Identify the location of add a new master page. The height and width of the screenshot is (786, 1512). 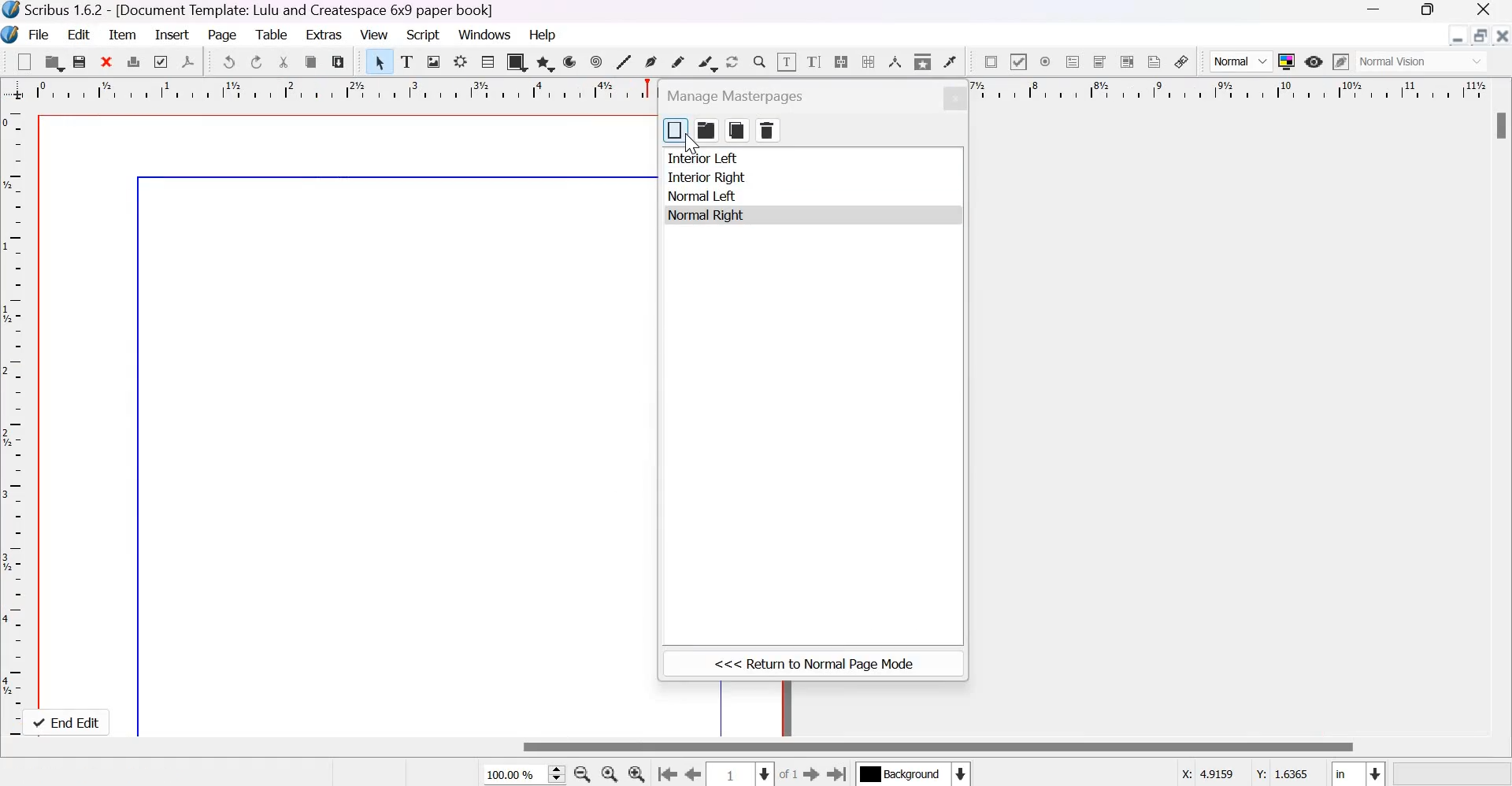
(676, 131).